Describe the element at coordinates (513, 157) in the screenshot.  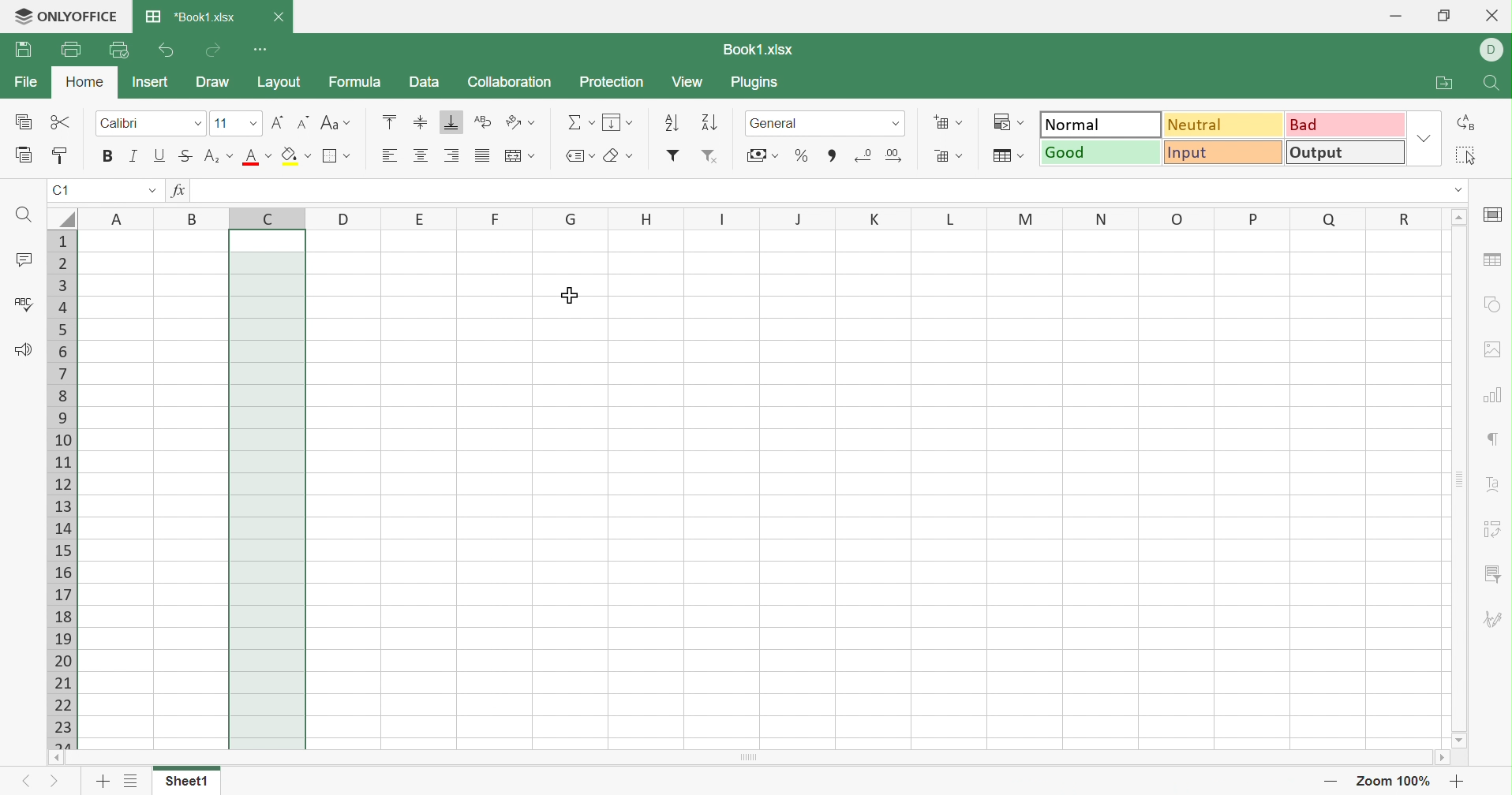
I see `Merge and center` at that location.